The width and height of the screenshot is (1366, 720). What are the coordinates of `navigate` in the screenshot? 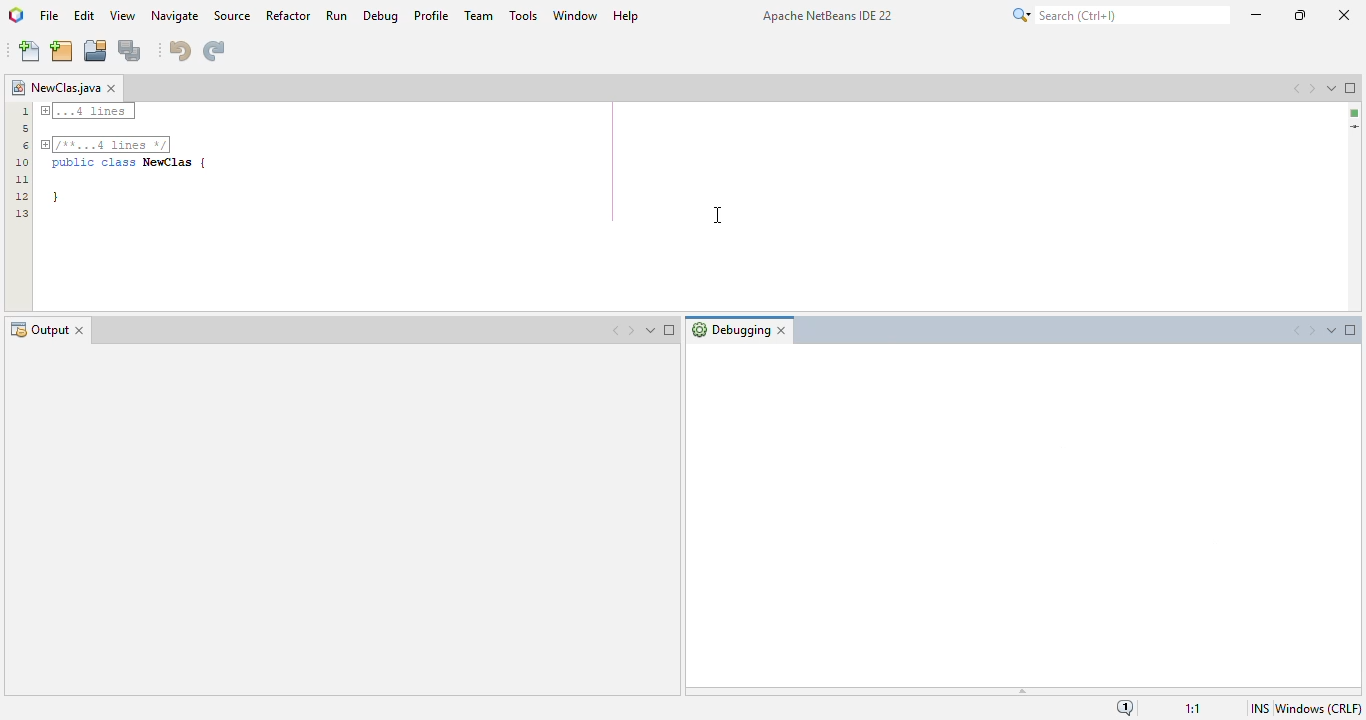 It's located at (176, 16).